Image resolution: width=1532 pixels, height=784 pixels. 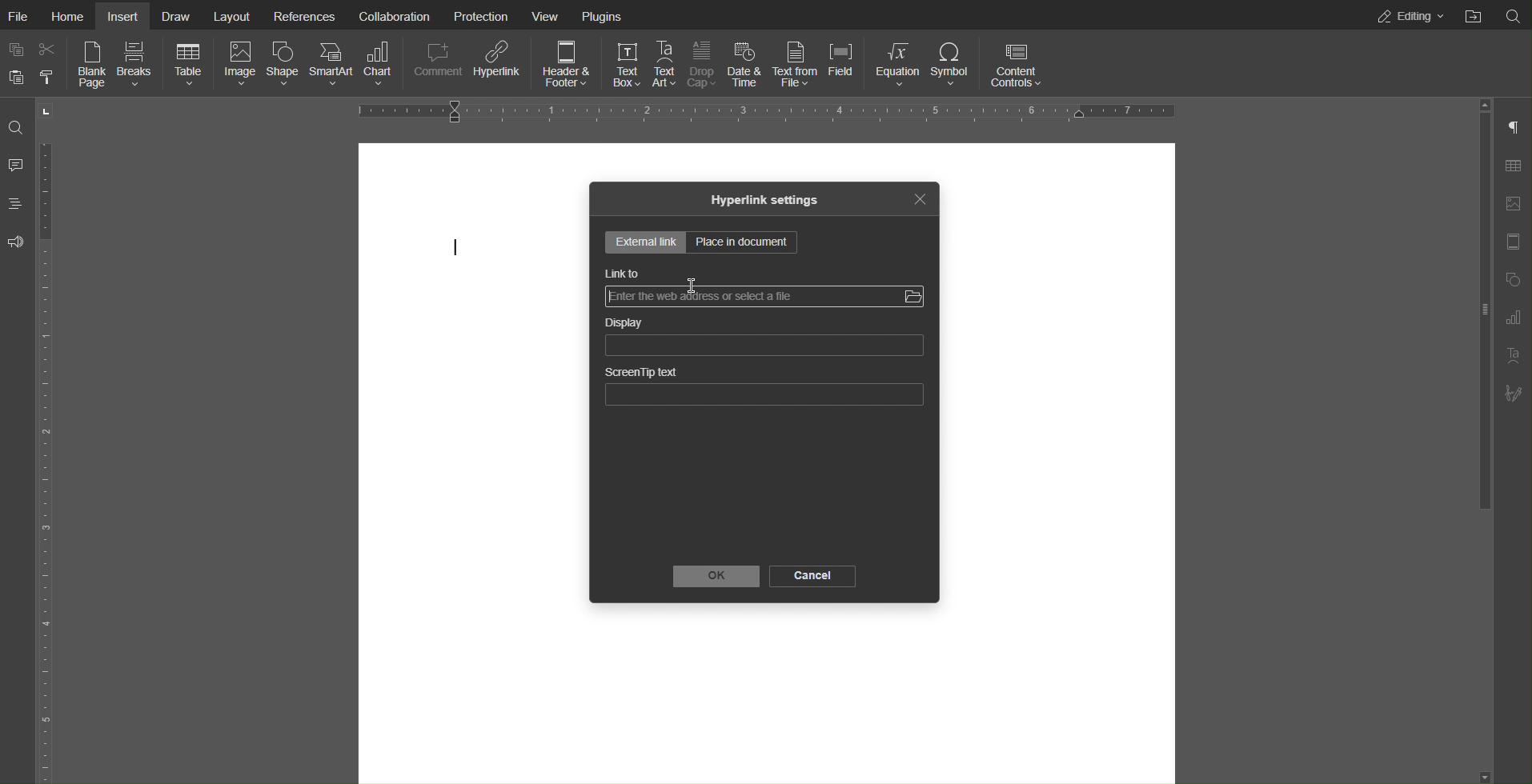 I want to click on Insert, so click(x=124, y=16).